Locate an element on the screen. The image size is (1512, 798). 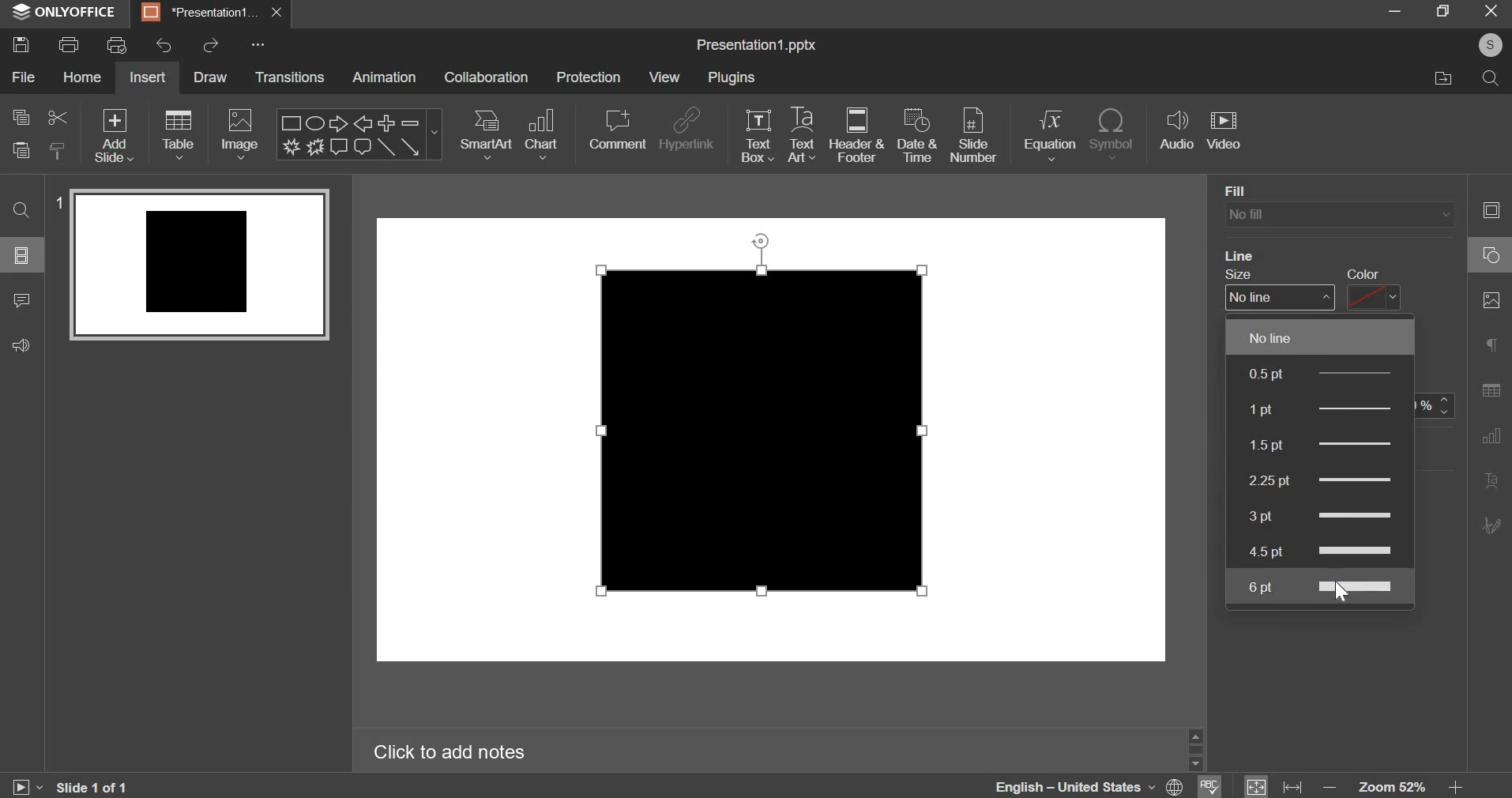
Back arrow is located at coordinates (365, 123).